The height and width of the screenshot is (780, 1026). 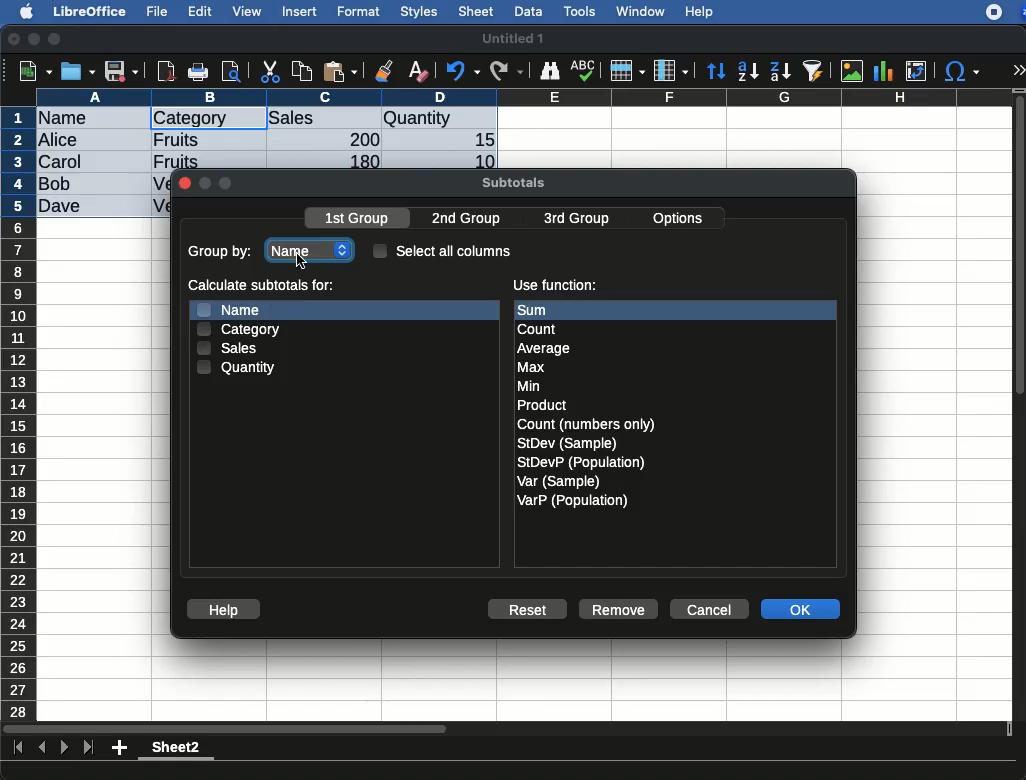 I want to click on clone formatting, so click(x=384, y=72).